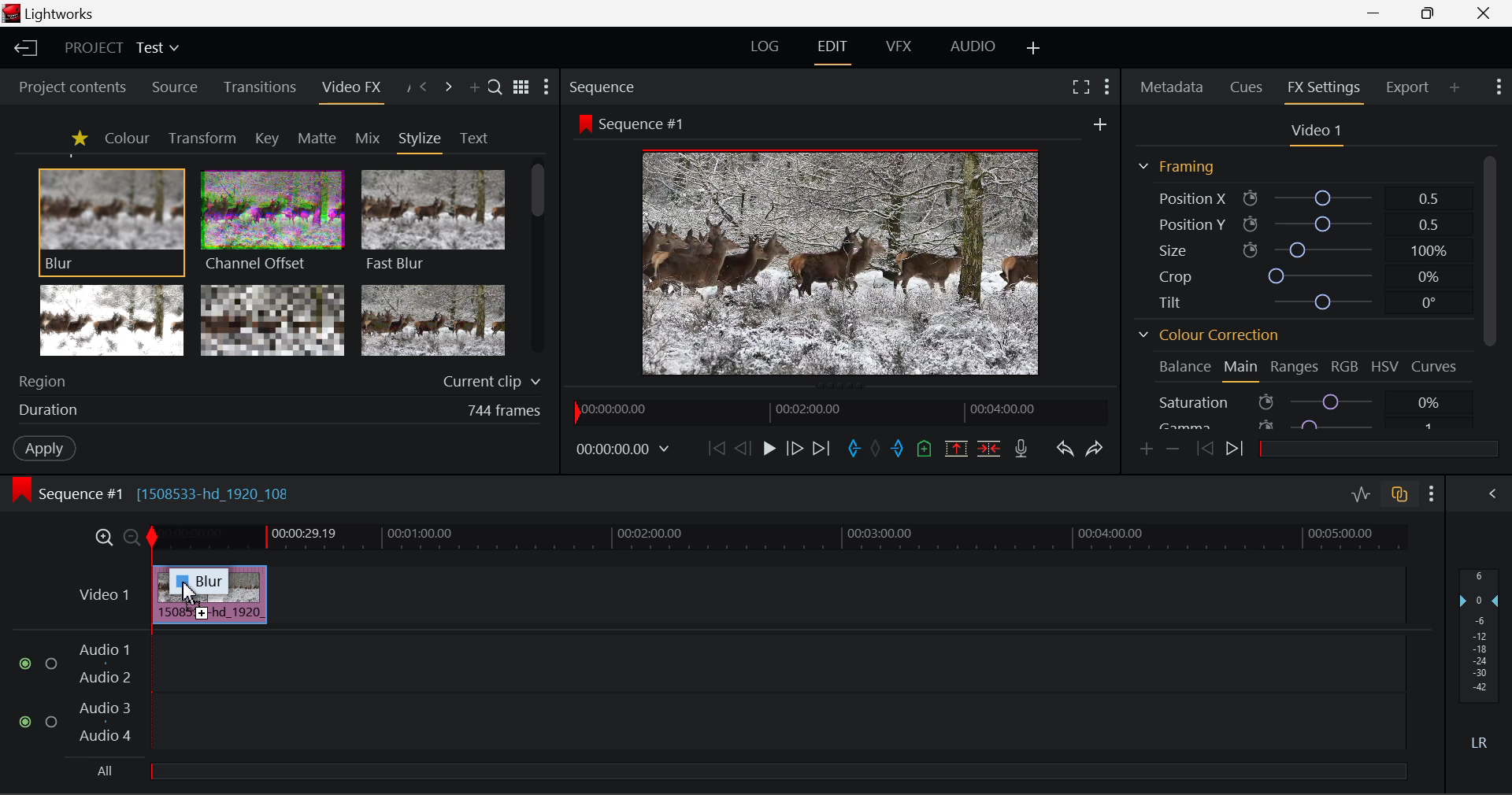 This screenshot has width=1512, height=795. What do you see at coordinates (606, 86) in the screenshot?
I see `Sequence Preview Section` at bounding box center [606, 86].